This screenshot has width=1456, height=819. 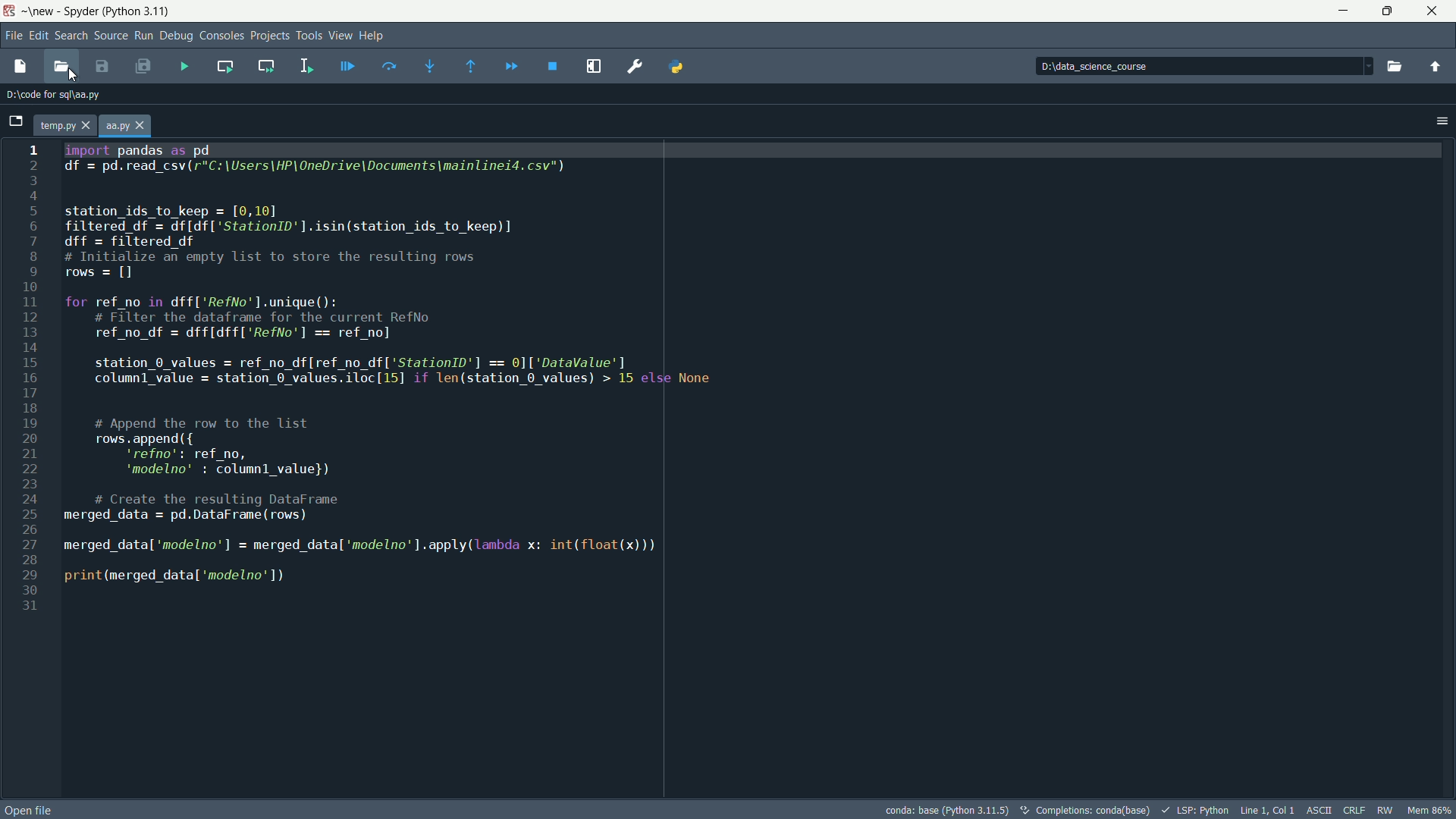 I want to click on rw, so click(x=1386, y=809).